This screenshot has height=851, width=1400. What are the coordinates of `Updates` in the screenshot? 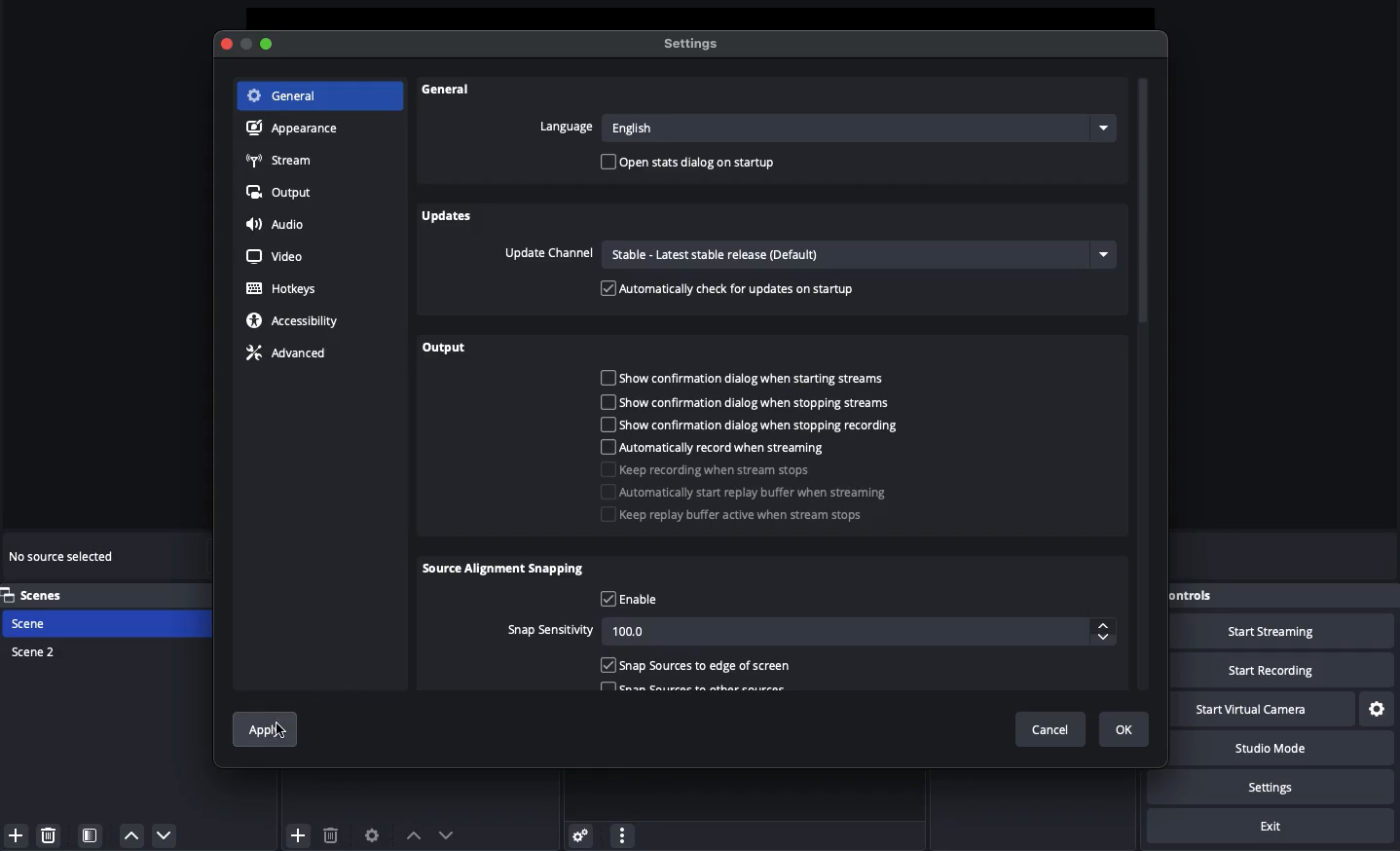 It's located at (448, 216).